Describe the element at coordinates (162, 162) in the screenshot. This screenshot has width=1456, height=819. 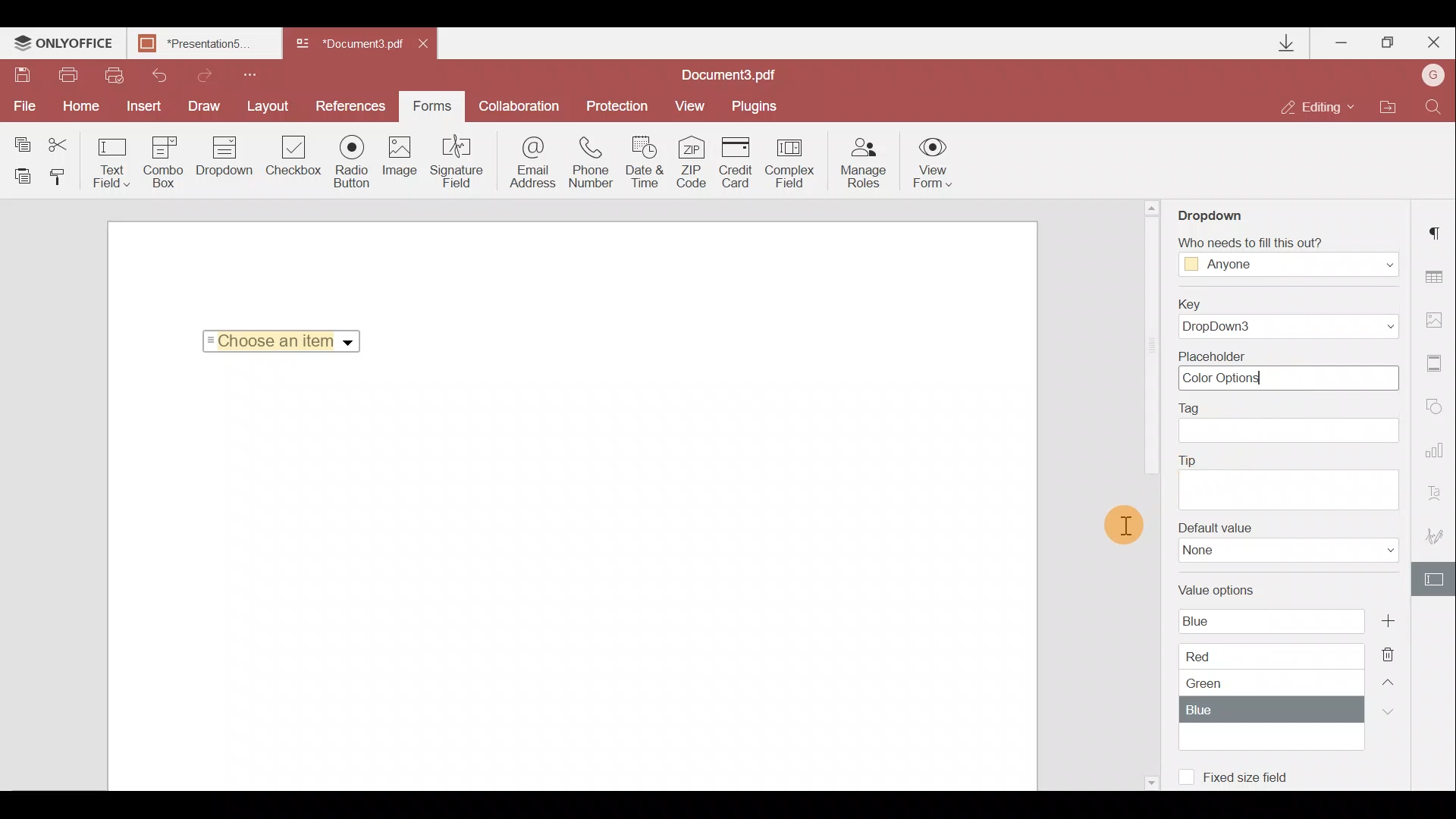
I see `Combo box` at that location.